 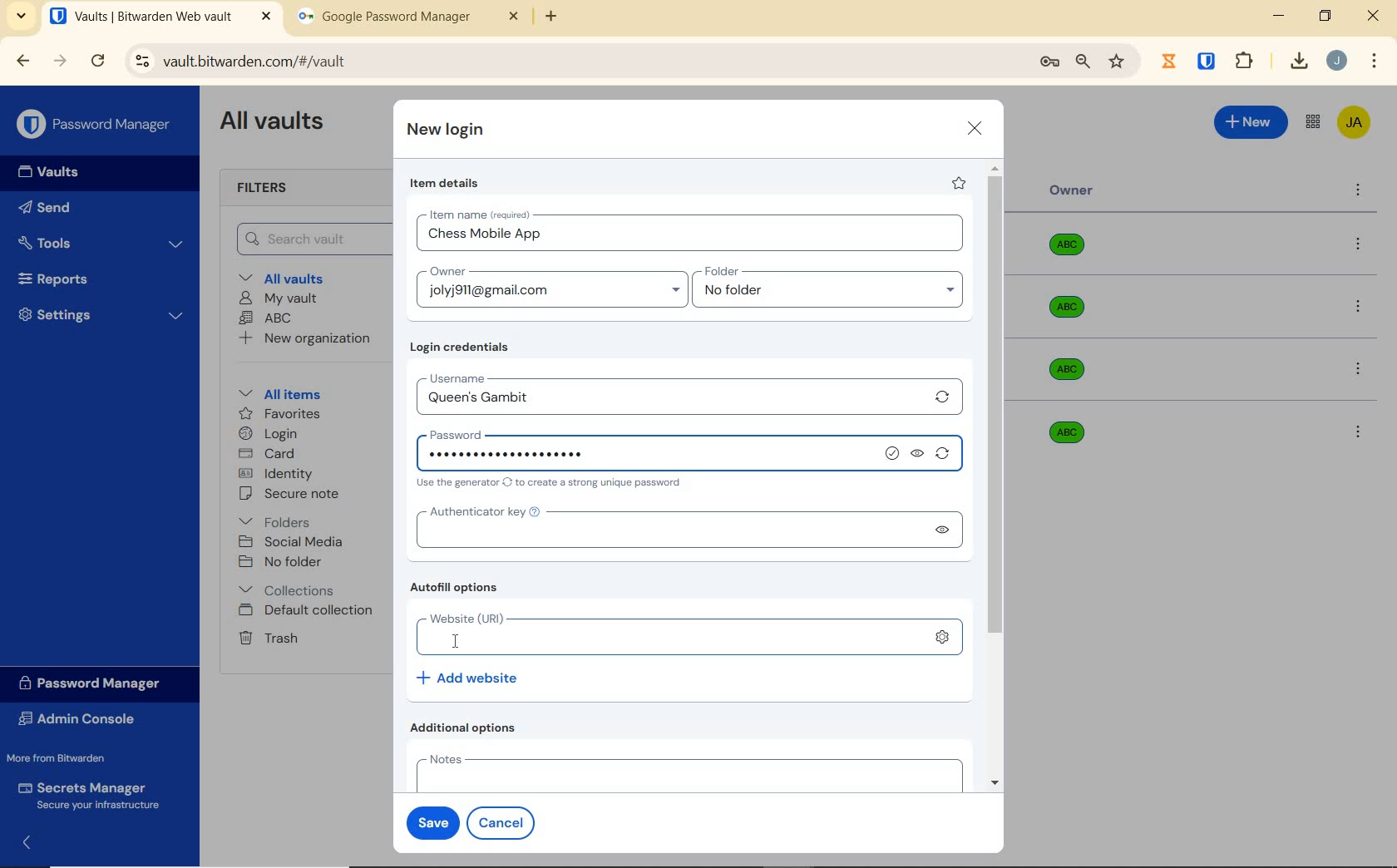 I want to click on search tabs, so click(x=21, y=18).